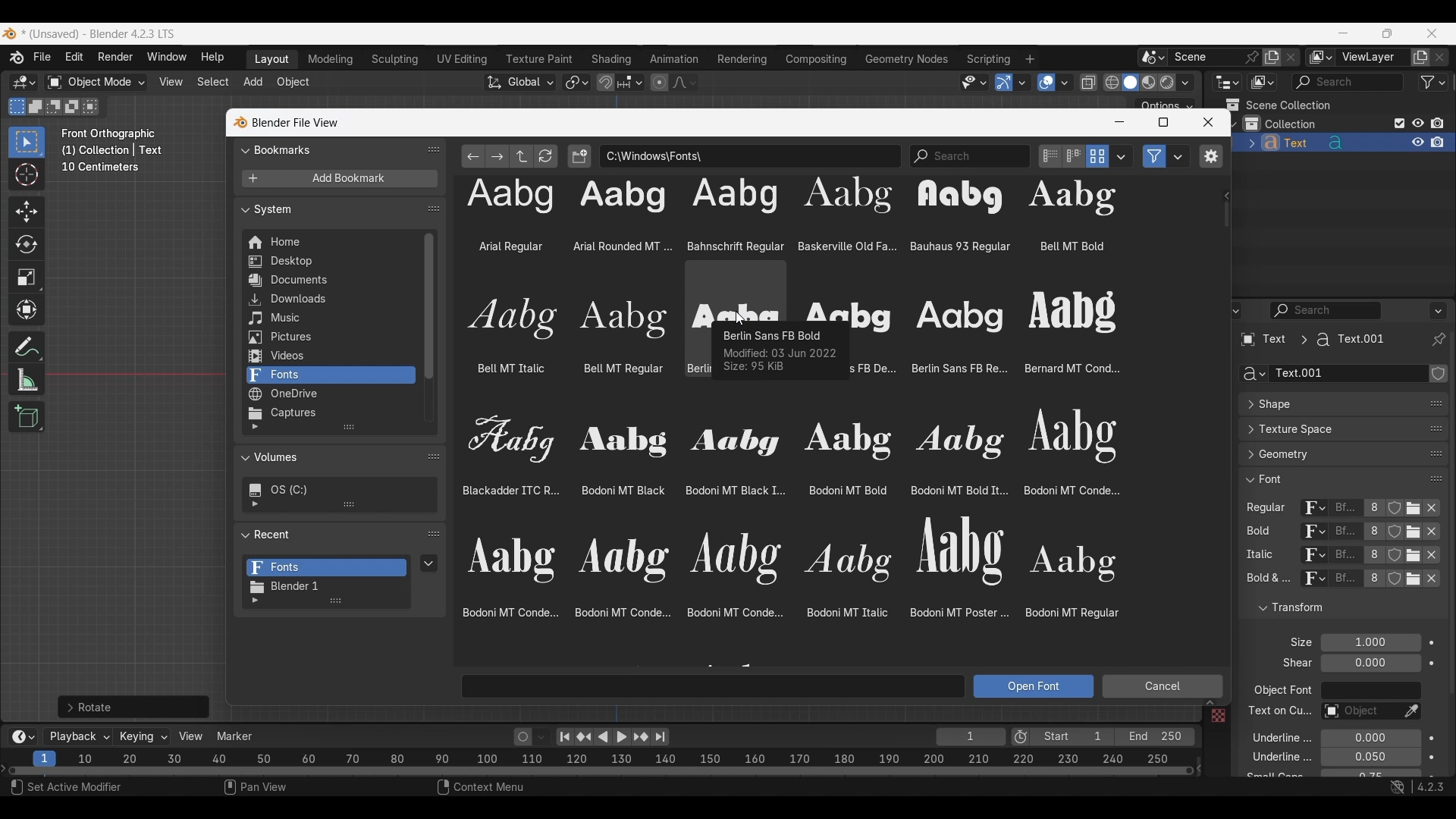 The height and width of the screenshot is (819, 1456). What do you see at coordinates (576, 83) in the screenshot?
I see `Transform pivot point` at bounding box center [576, 83].